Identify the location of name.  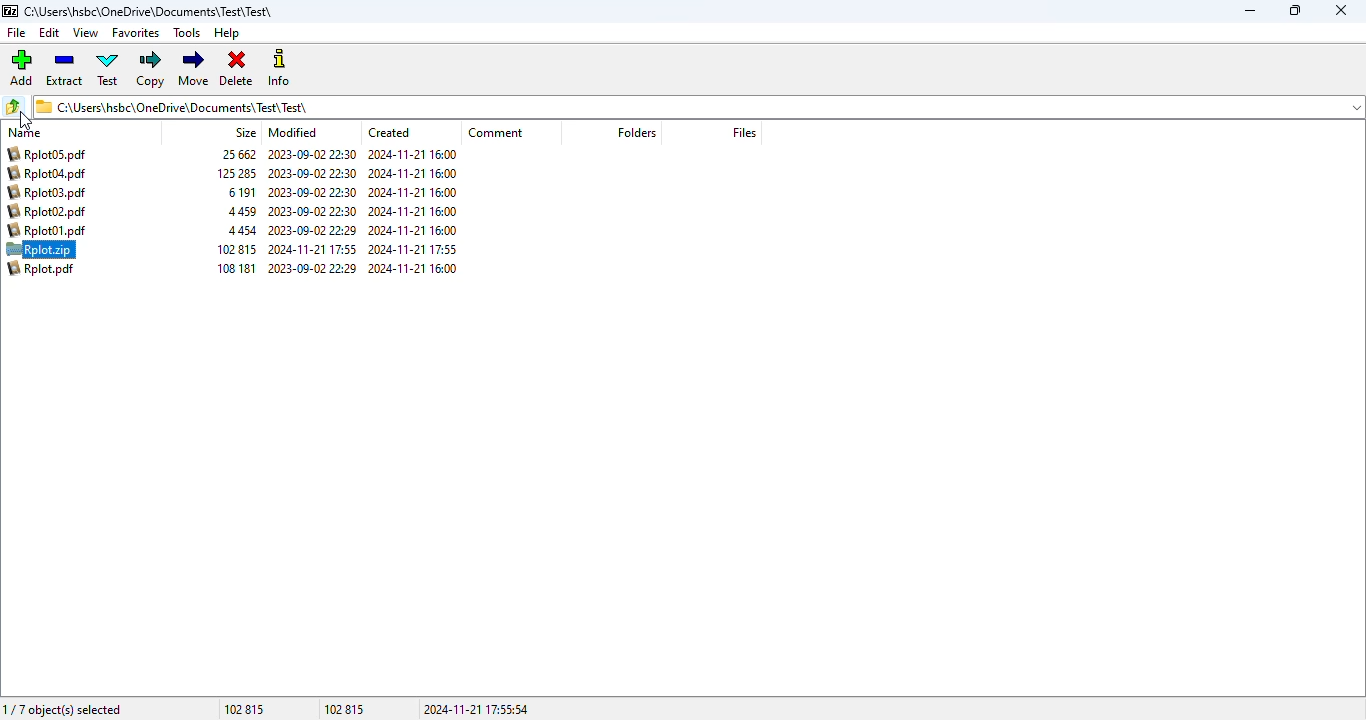
(24, 133).